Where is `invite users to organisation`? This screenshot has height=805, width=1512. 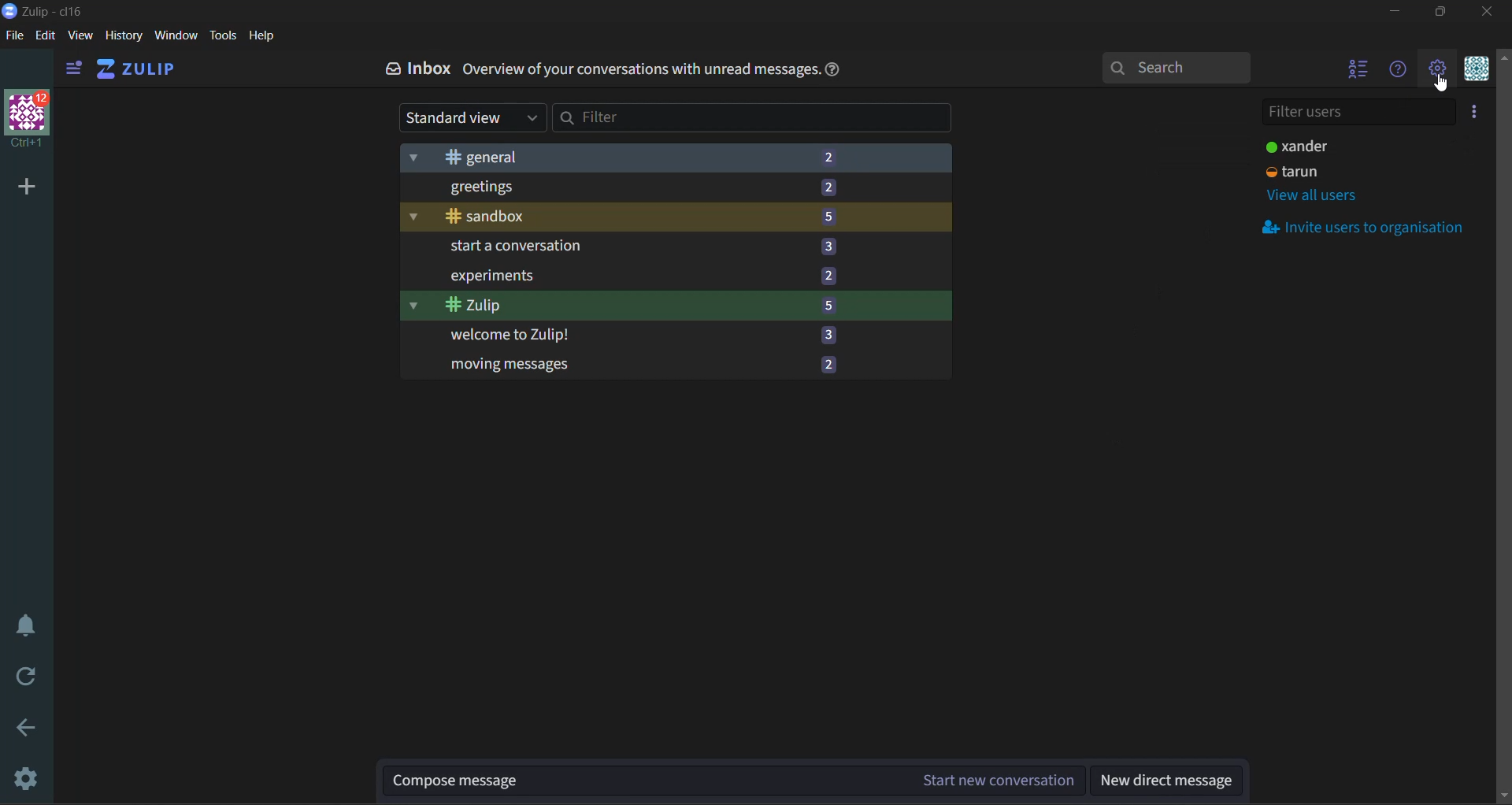
invite users to organisation is located at coordinates (1368, 228).